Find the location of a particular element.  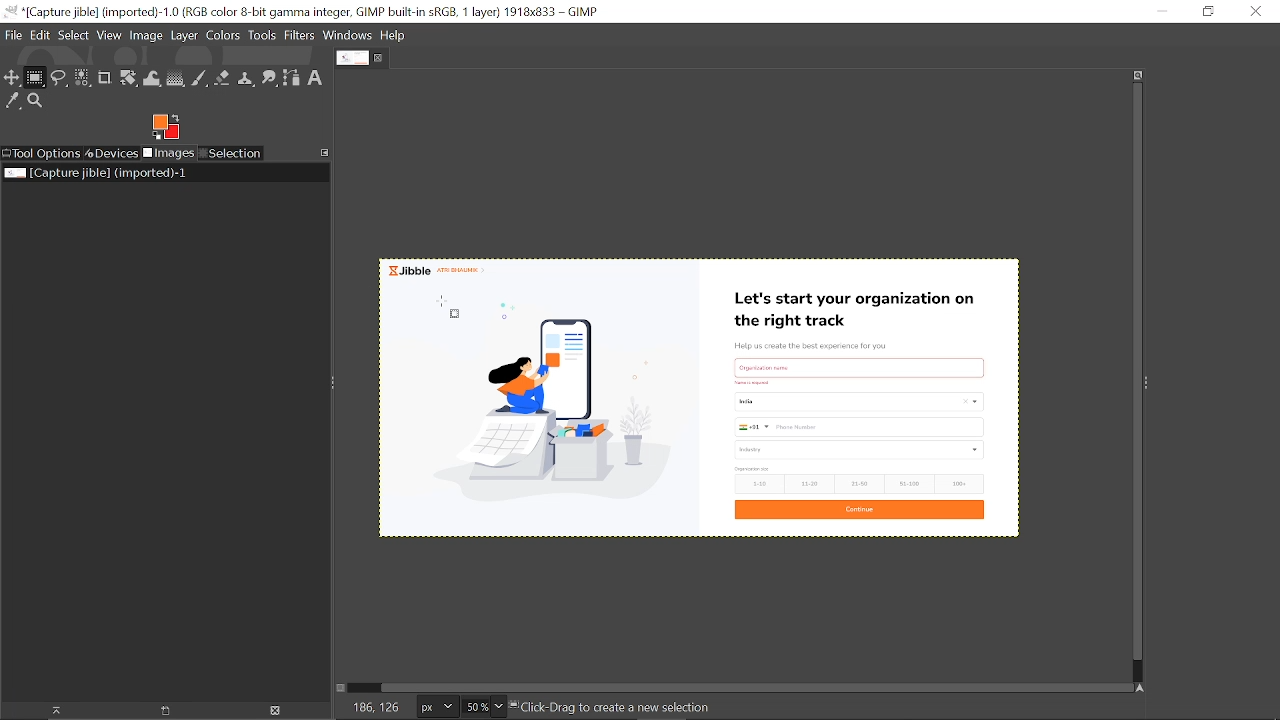

Minimize is located at coordinates (1161, 12).